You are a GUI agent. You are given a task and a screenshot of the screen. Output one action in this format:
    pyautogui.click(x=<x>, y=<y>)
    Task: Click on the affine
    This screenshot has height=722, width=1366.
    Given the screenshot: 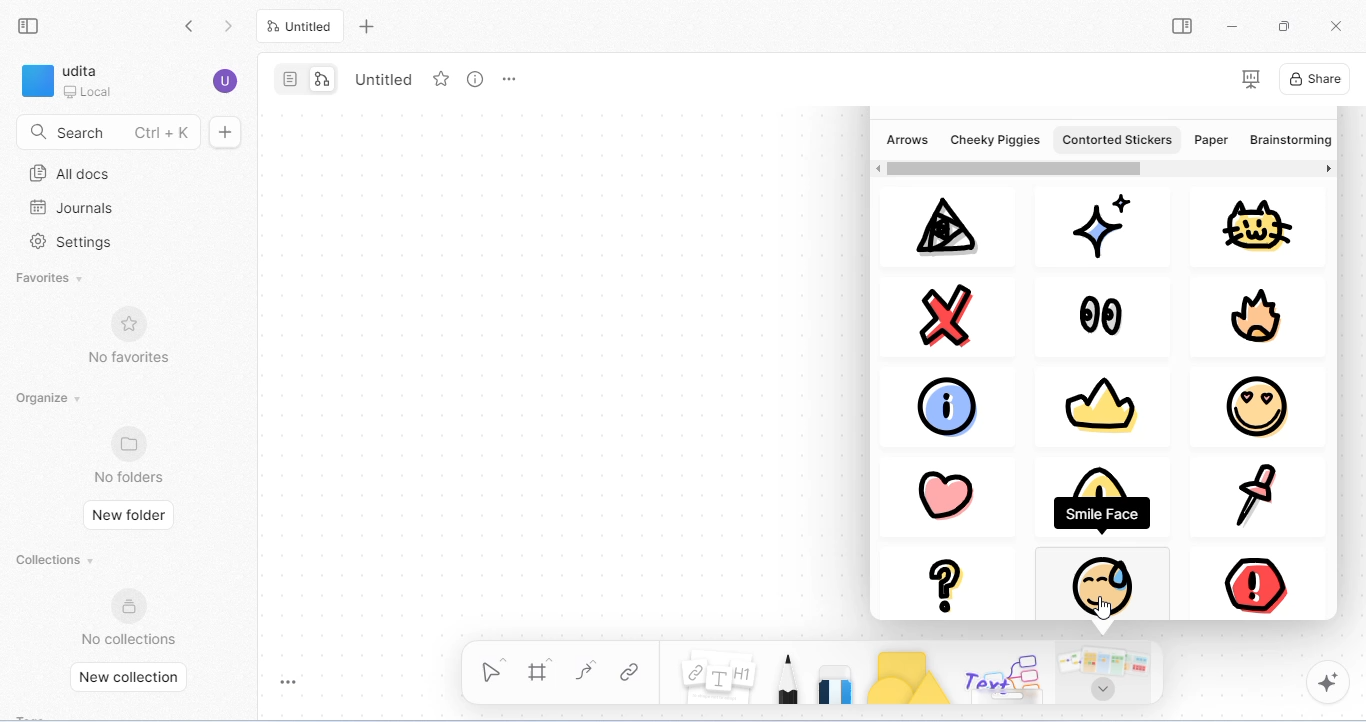 What is the action you would take?
    pyautogui.click(x=941, y=227)
    